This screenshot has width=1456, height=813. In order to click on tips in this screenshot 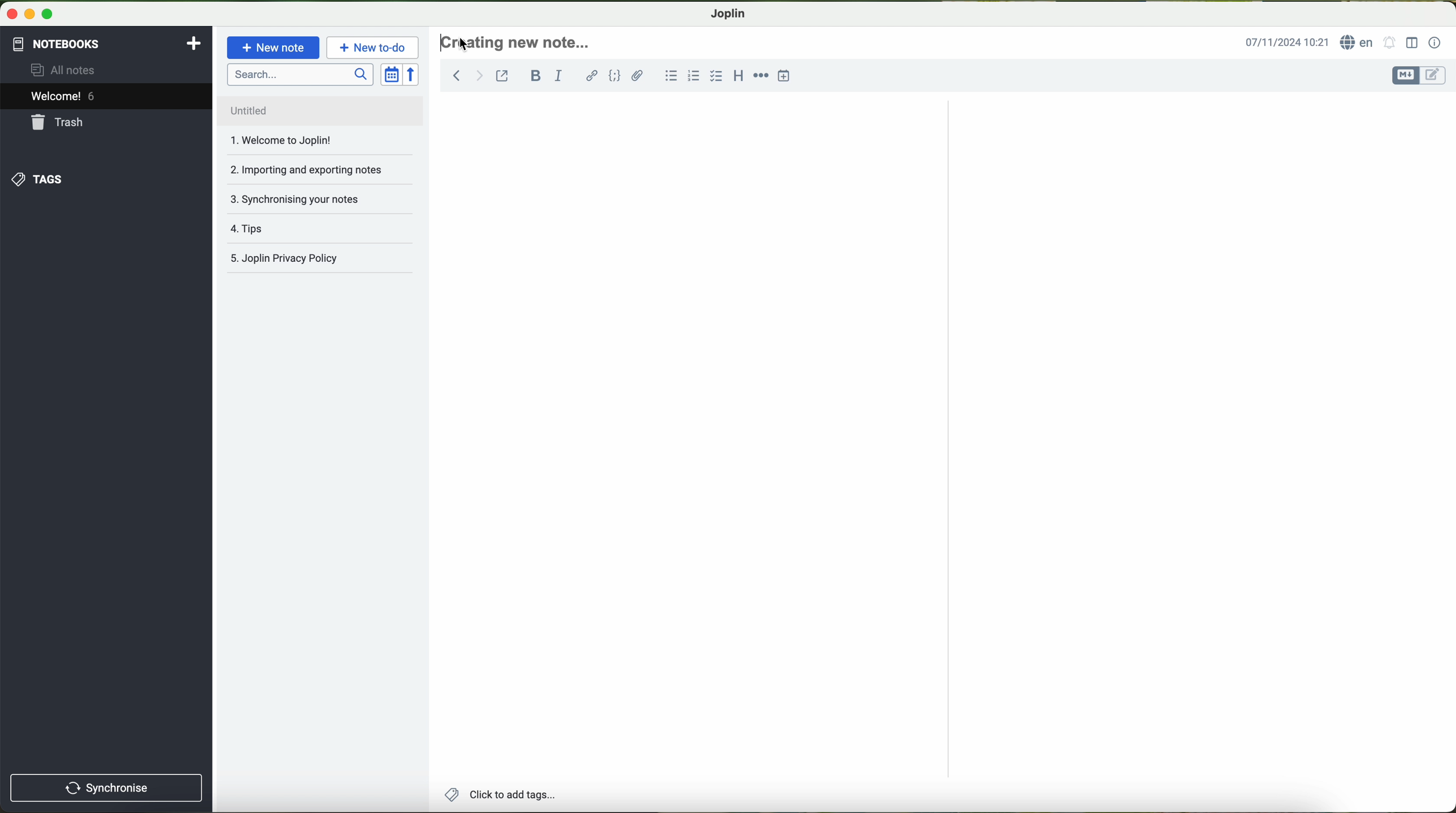, I will do `click(322, 231)`.